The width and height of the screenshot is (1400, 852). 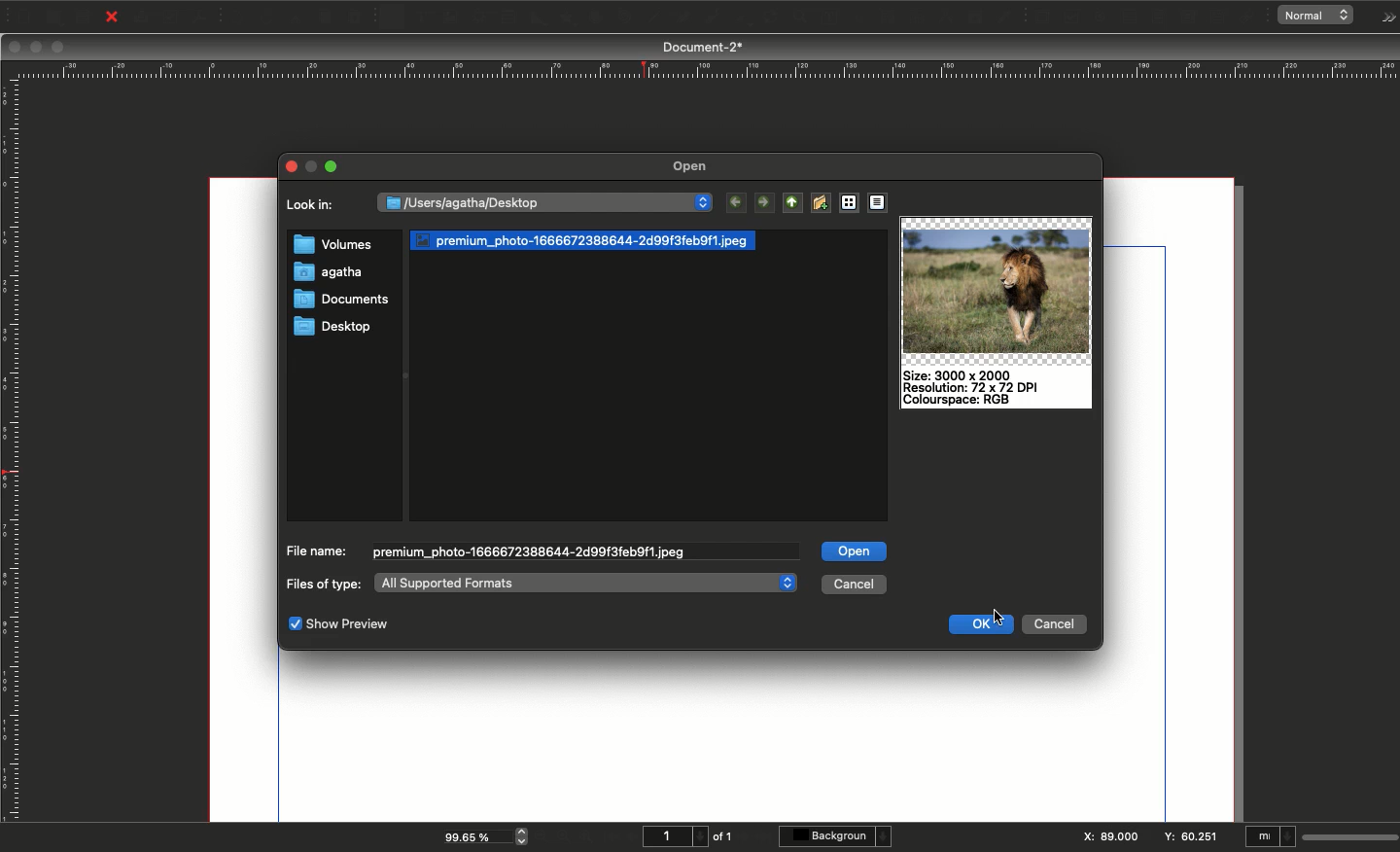 What do you see at coordinates (237, 18) in the screenshot?
I see `Undo` at bounding box center [237, 18].